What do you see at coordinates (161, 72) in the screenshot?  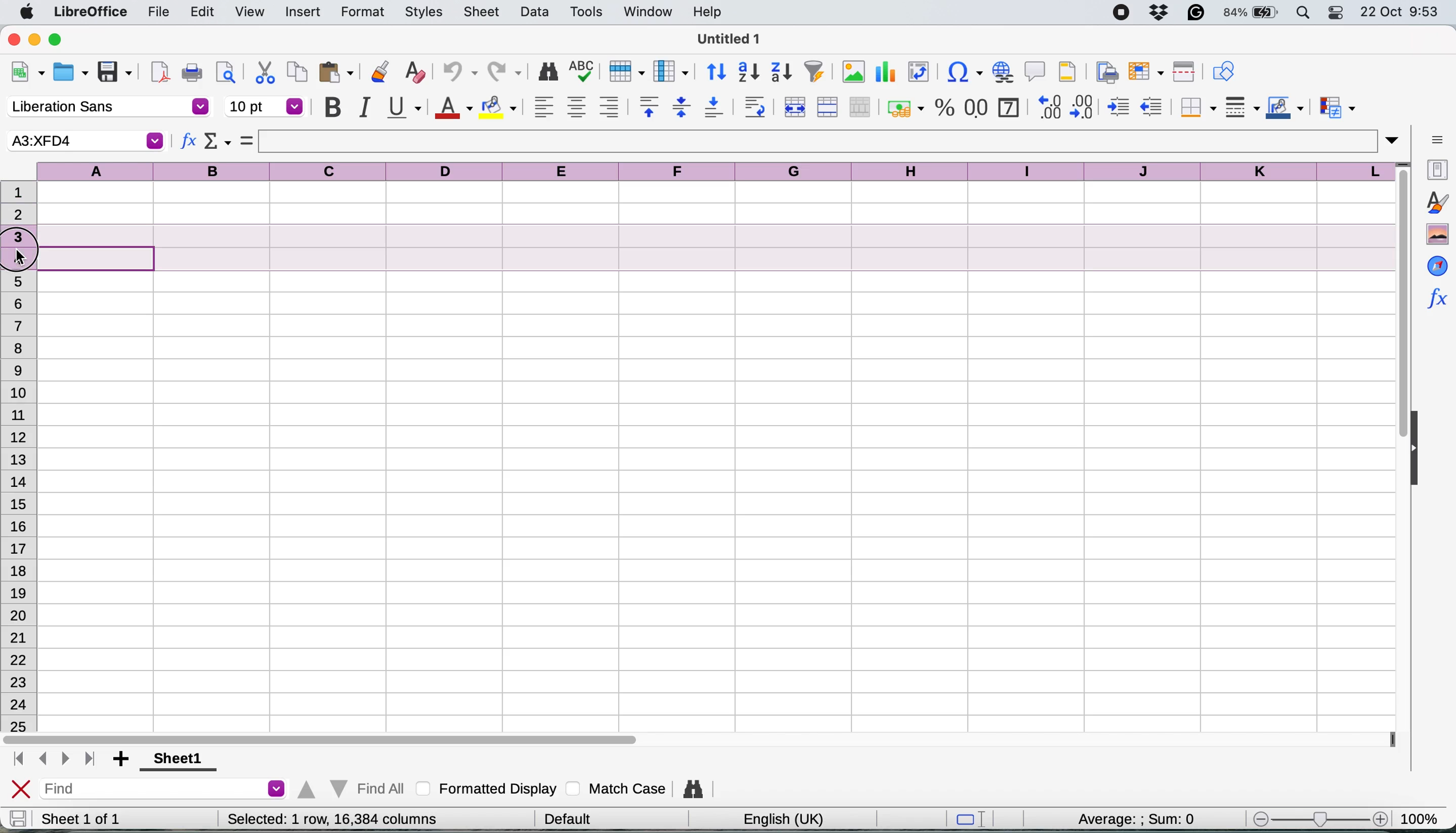 I see `export directly as pdf` at bounding box center [161, 72].